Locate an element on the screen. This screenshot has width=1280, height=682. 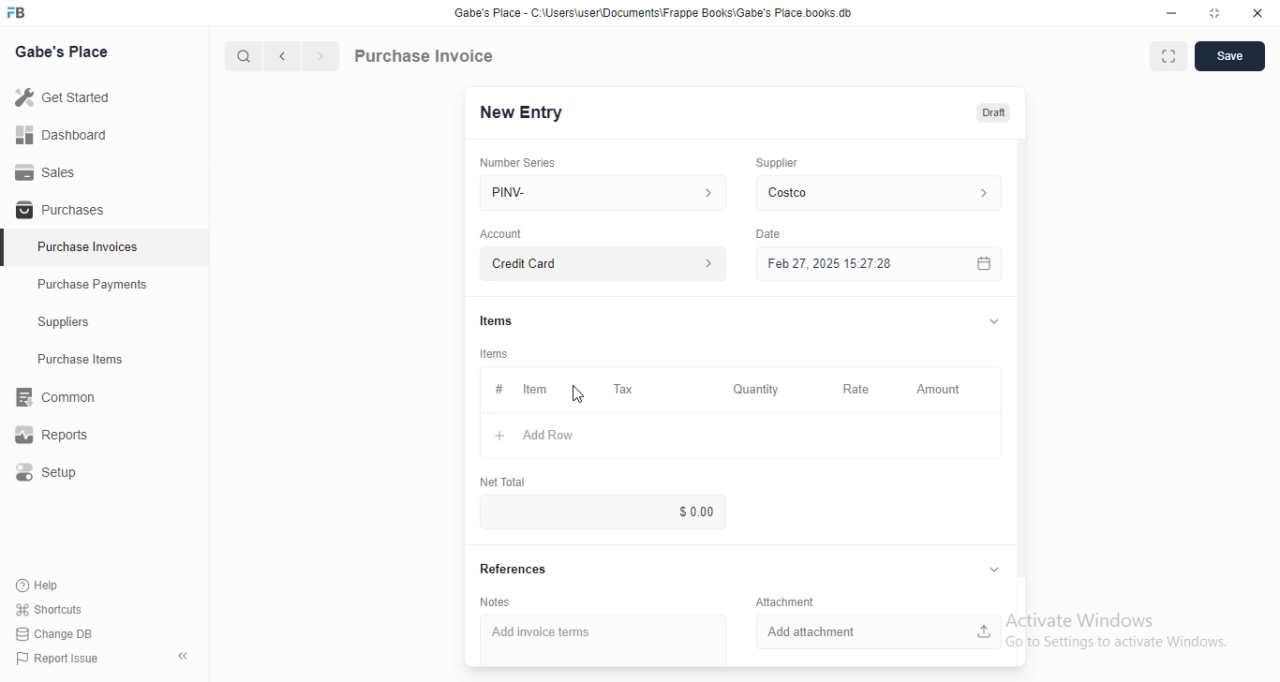
‘Gabe's Place - C\Users\useriDocuments\Frappe Books\Gabe's Place books db. is located at coordinates (653, 12).